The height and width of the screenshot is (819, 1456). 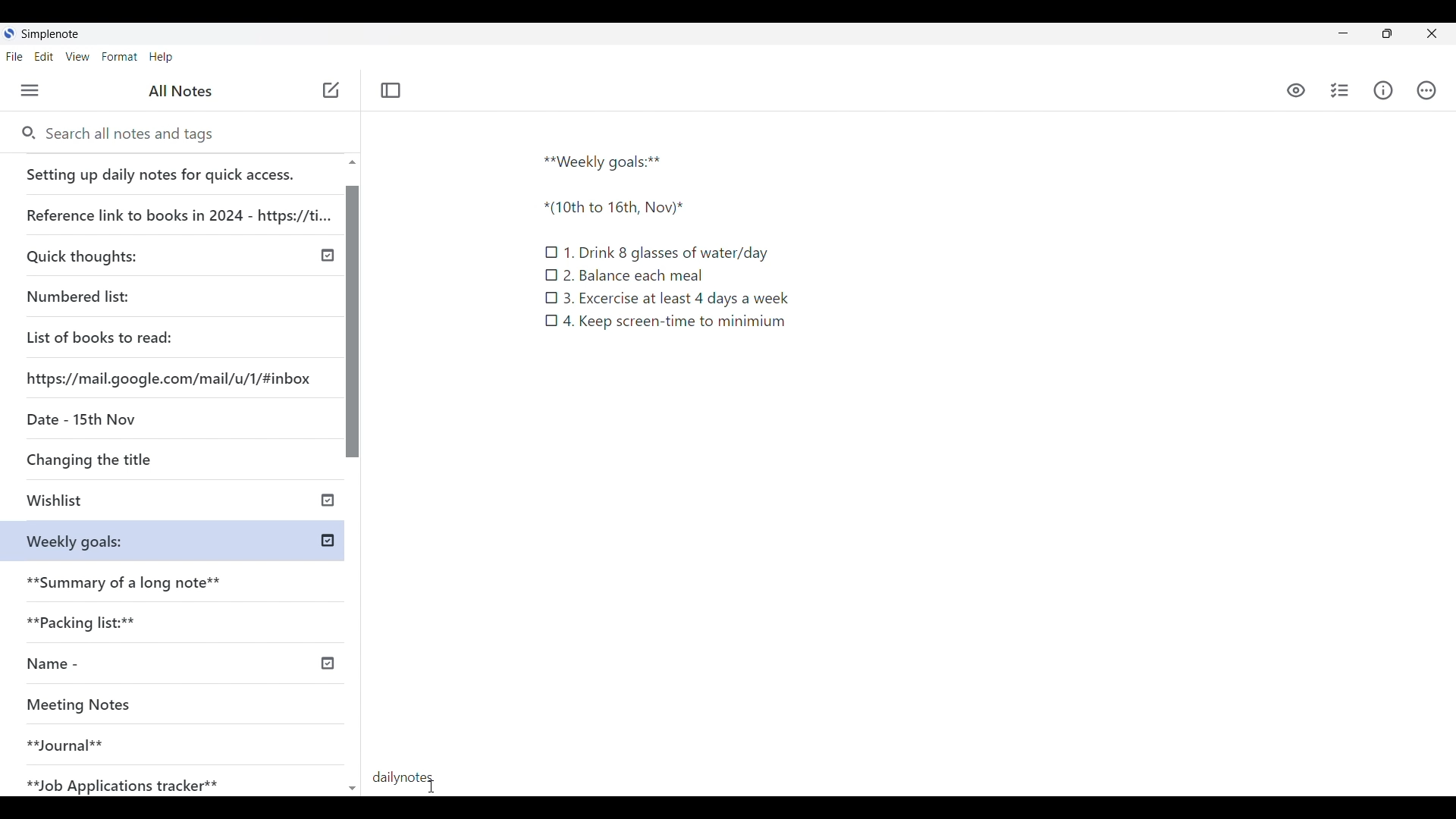 What do you see at coordinates (124, 255) in the screenshot?
I see `Quick thoughts` at bounding box center [124, 255].